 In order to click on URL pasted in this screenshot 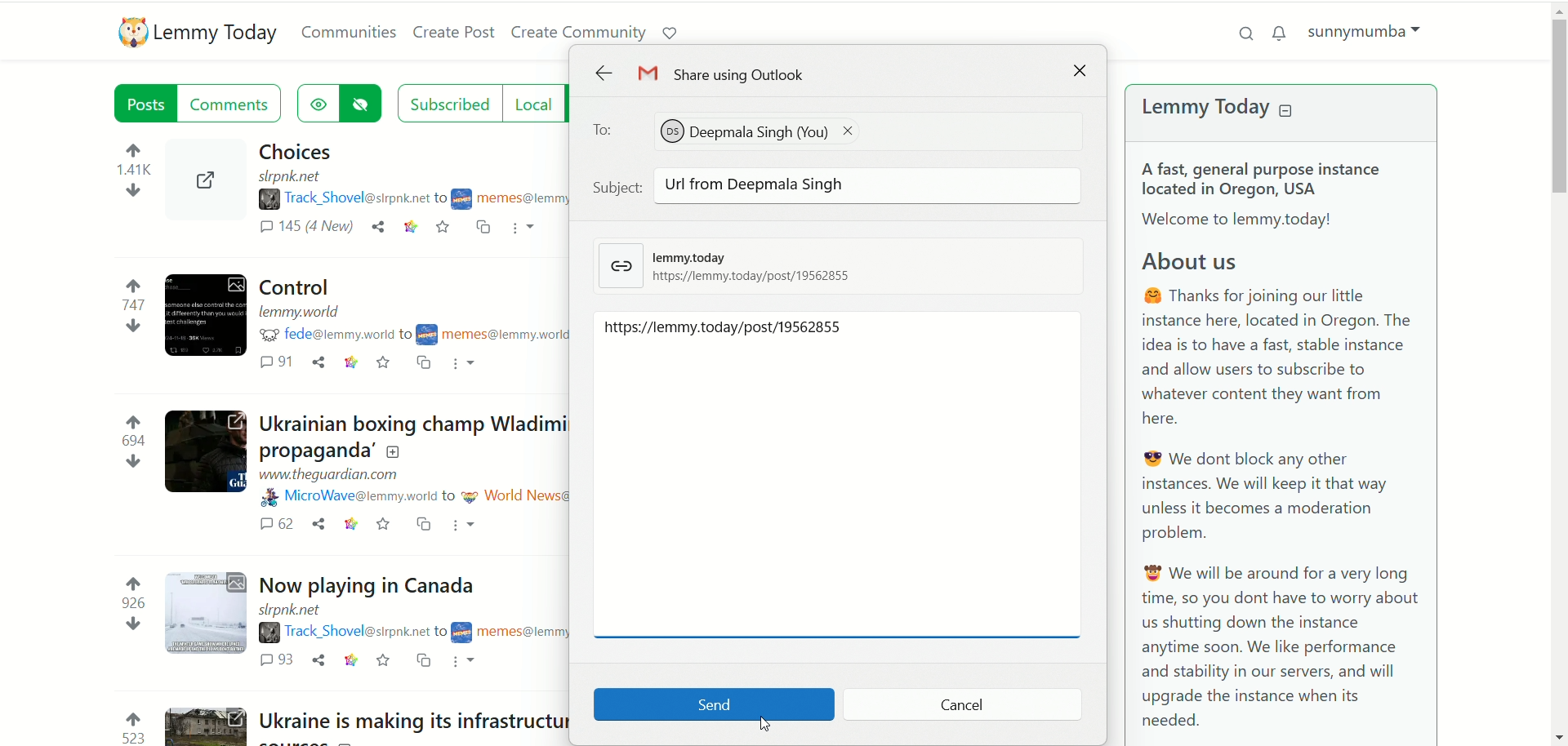, I will do `click(734, 344)`.